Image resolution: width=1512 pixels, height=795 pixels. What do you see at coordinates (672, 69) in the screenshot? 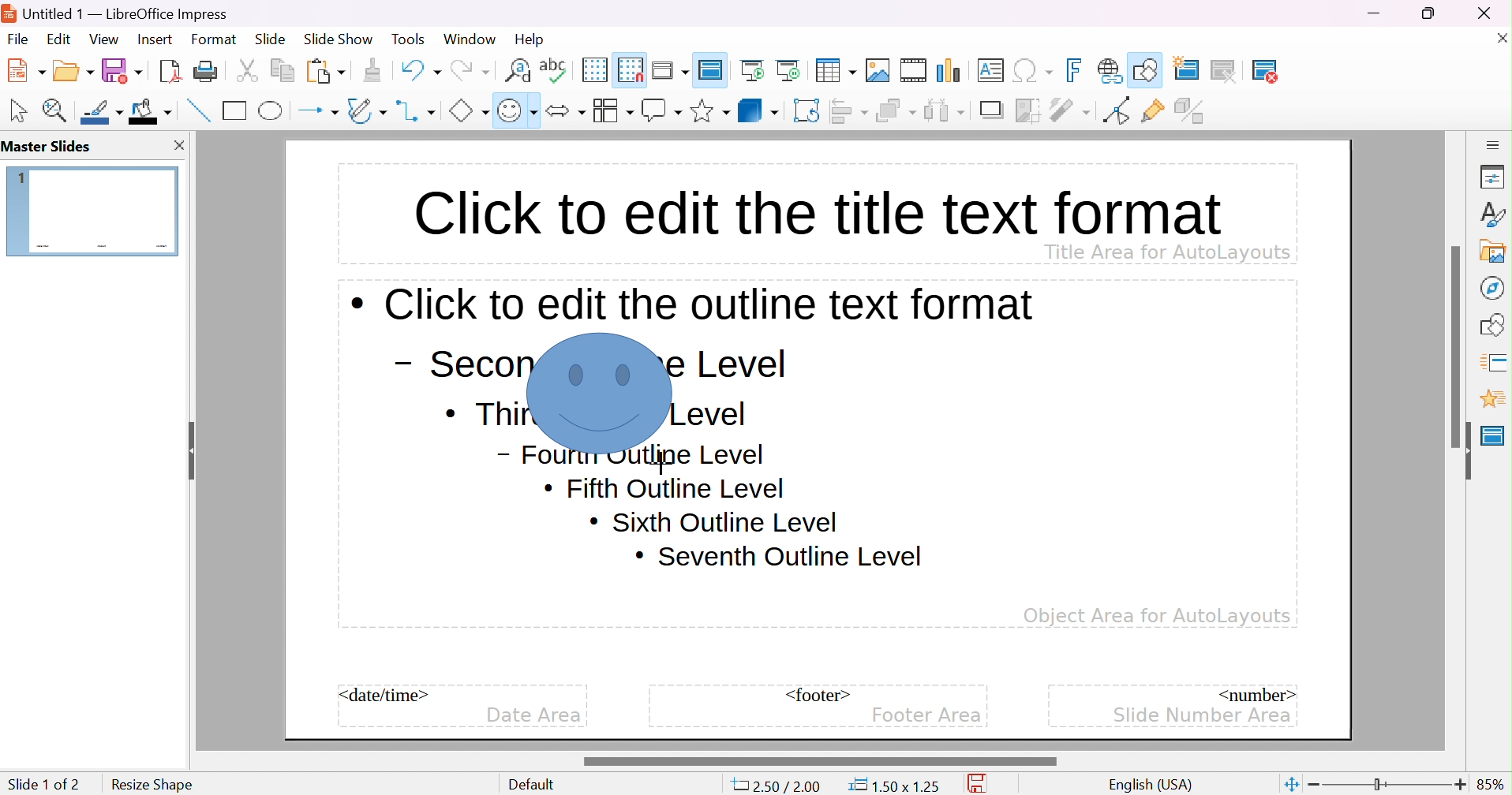
I see `display views` at bounding box center [672, 69].